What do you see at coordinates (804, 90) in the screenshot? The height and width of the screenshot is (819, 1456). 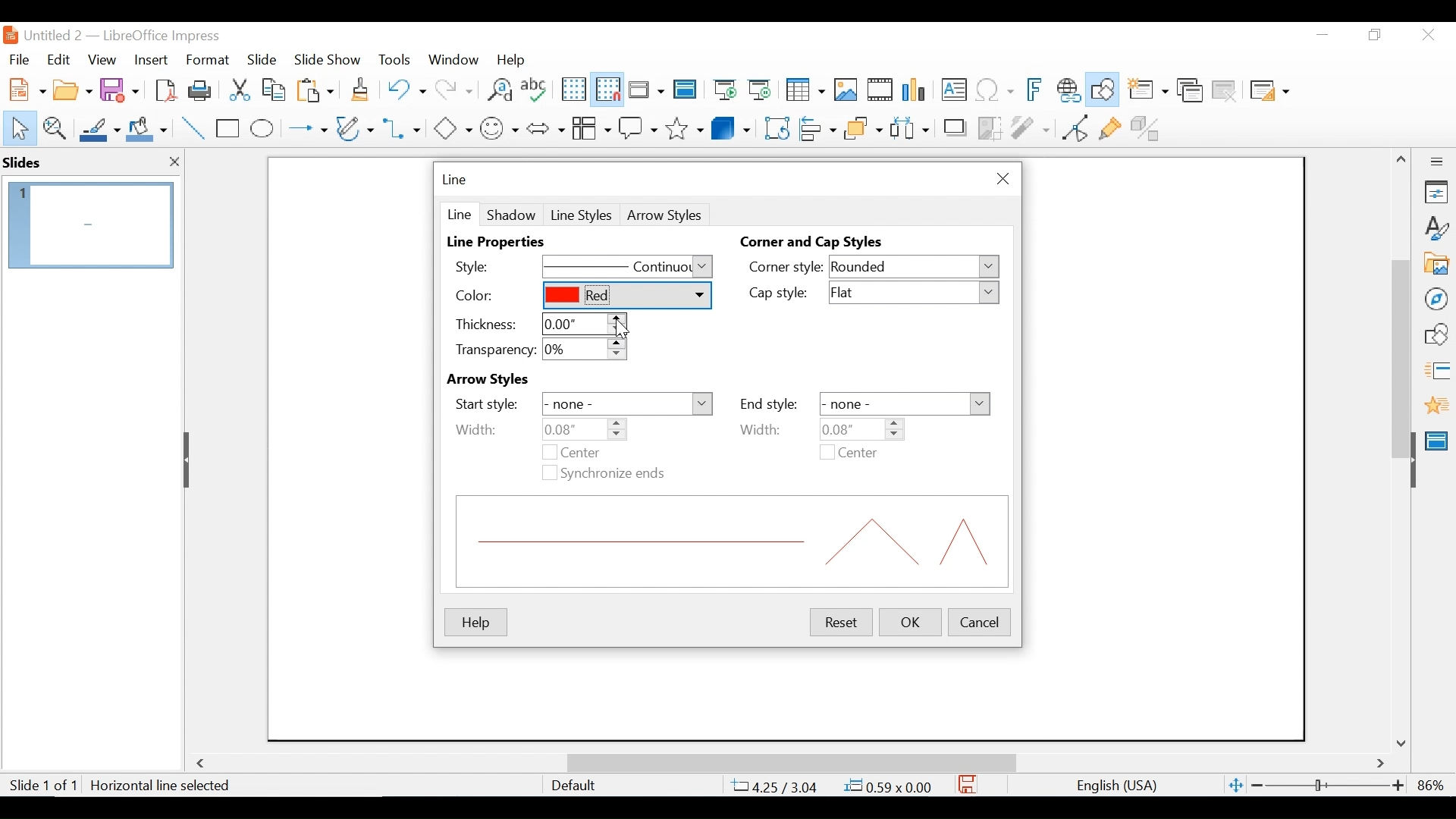 I see `Table` at bounding box center [804, 90].